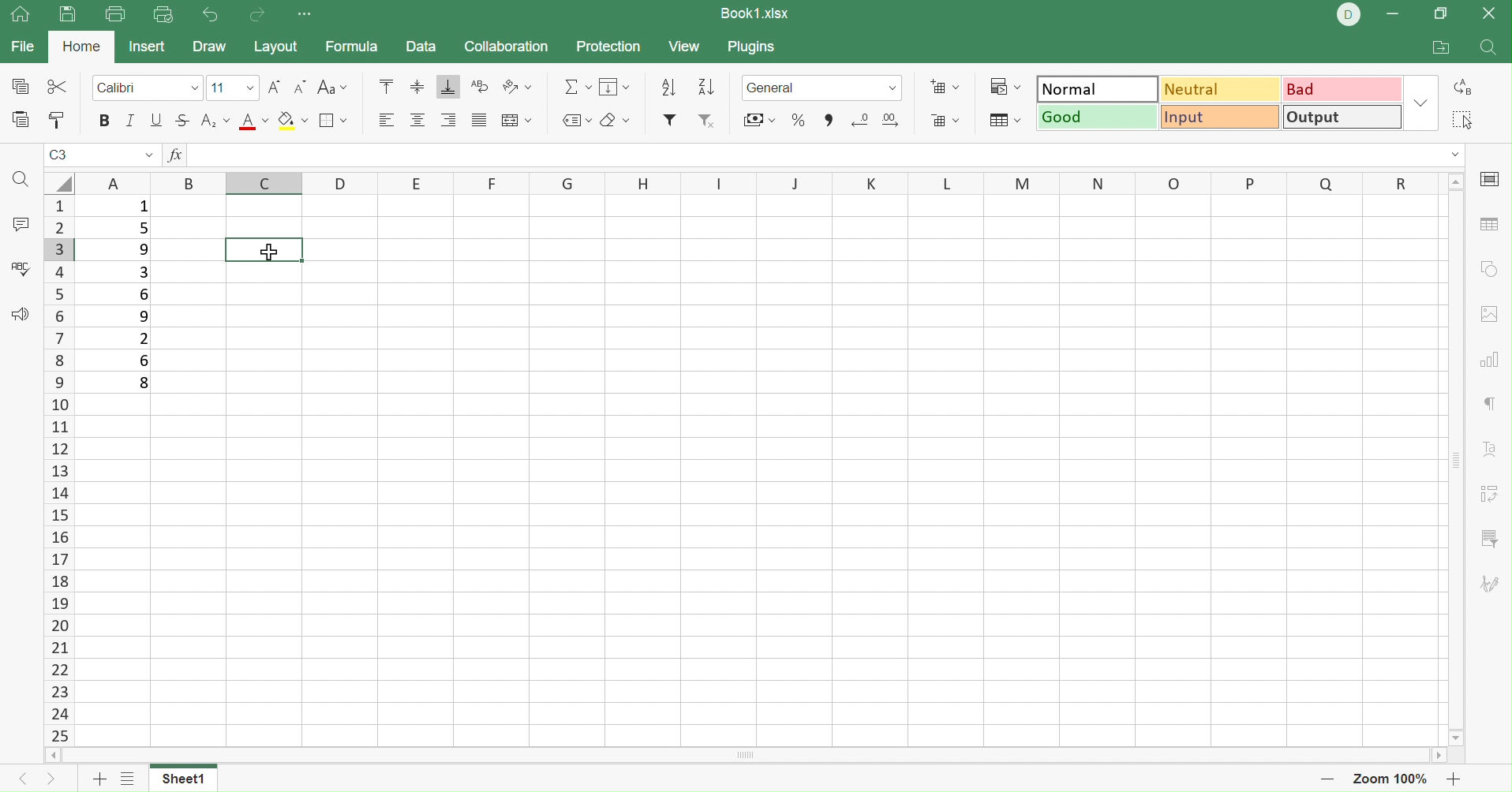 The image size is (1512, 792). Describe the element at coordinates (148, 89) in the screenshot. I see `Font` at that location.